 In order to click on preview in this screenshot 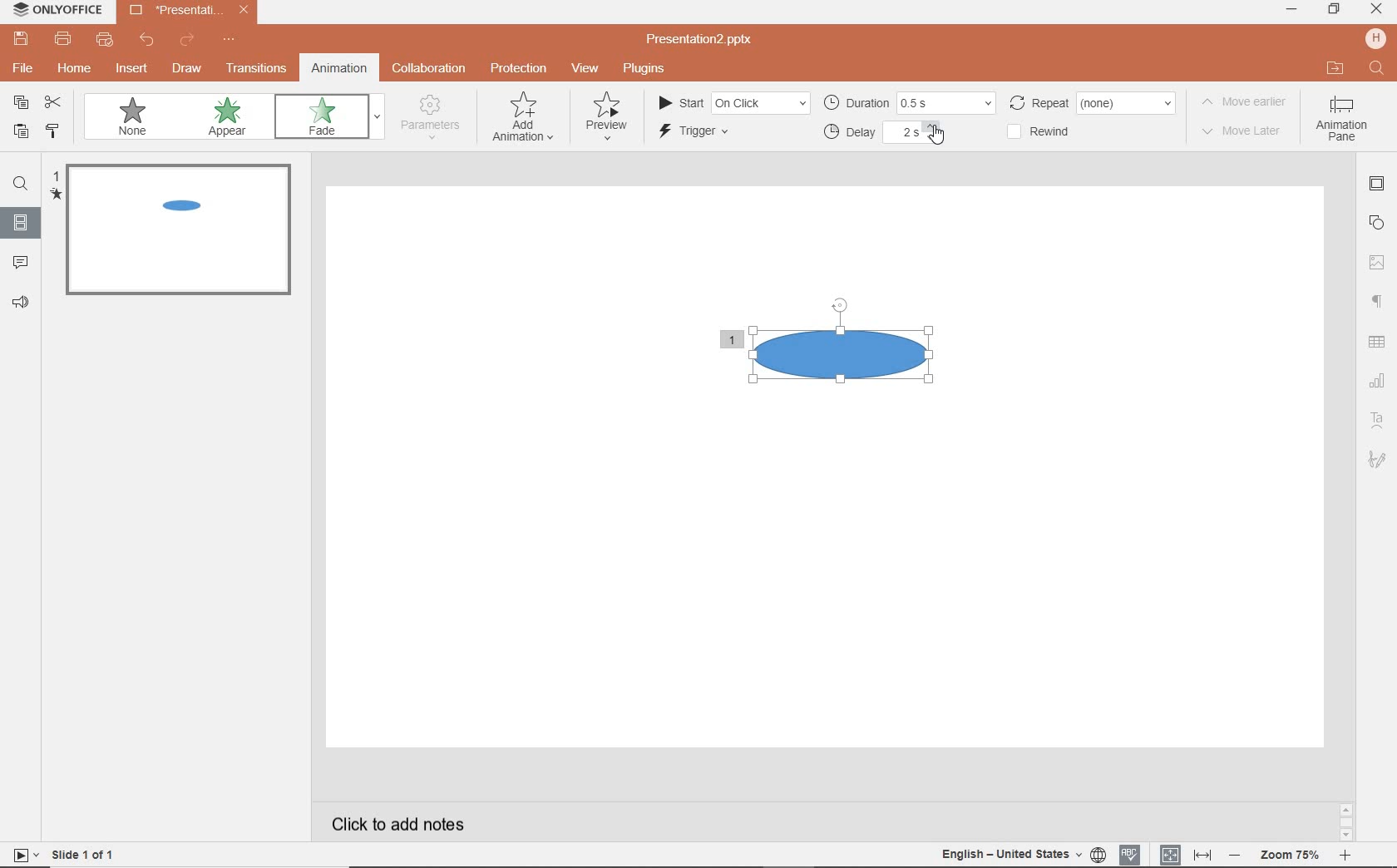, I will do `click(610, 115)`.